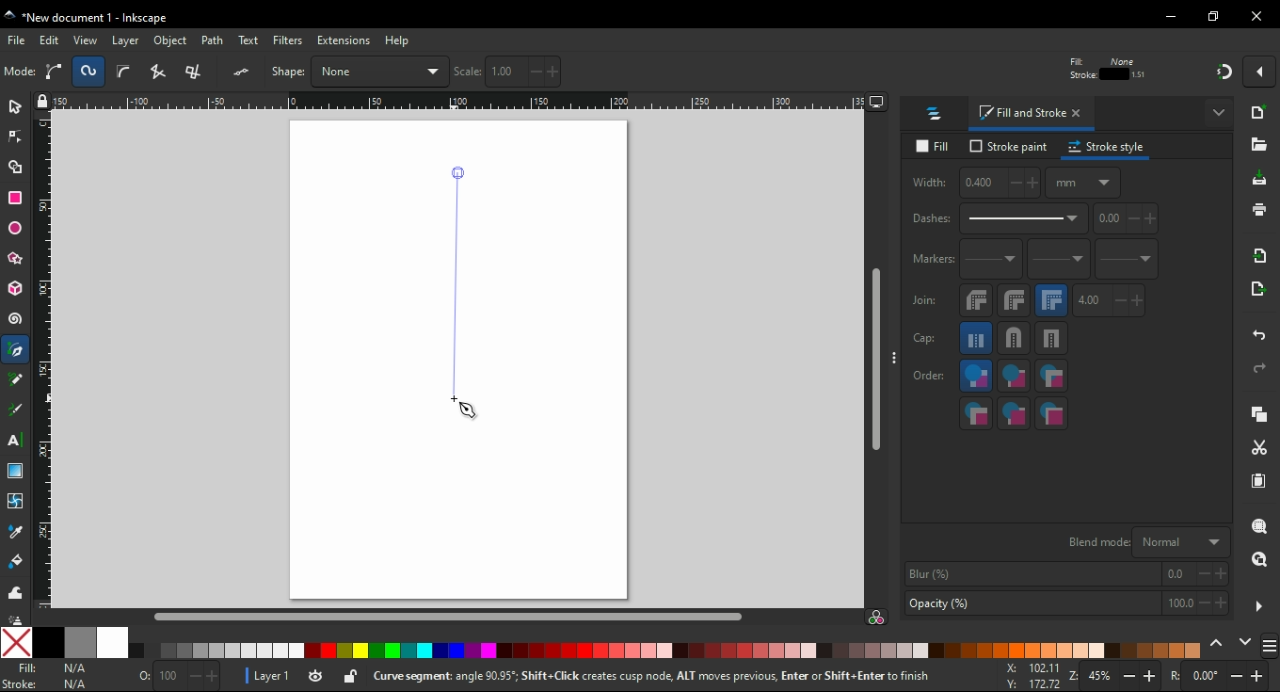  I want to click on bevel, so click(977, 301).